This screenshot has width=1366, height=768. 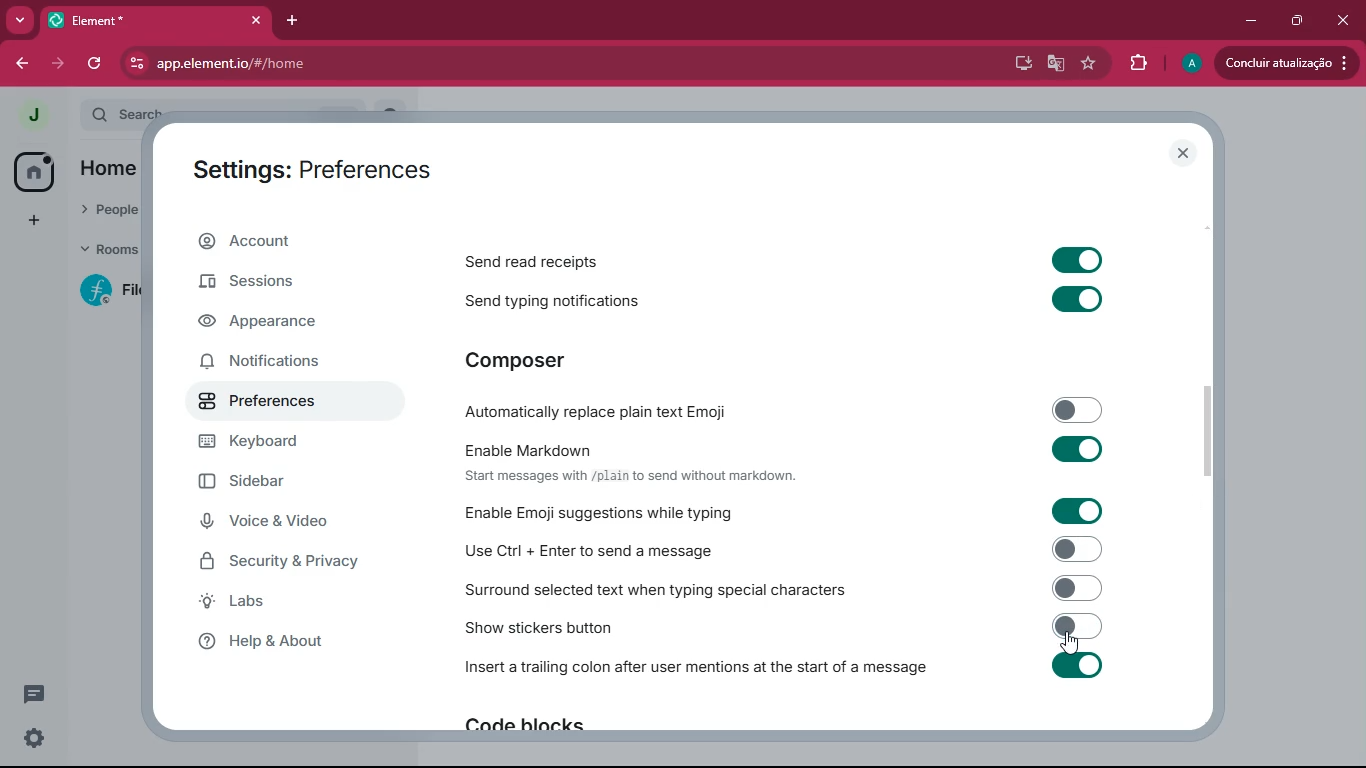 I want to click on composer , so click(x=528, y=361).